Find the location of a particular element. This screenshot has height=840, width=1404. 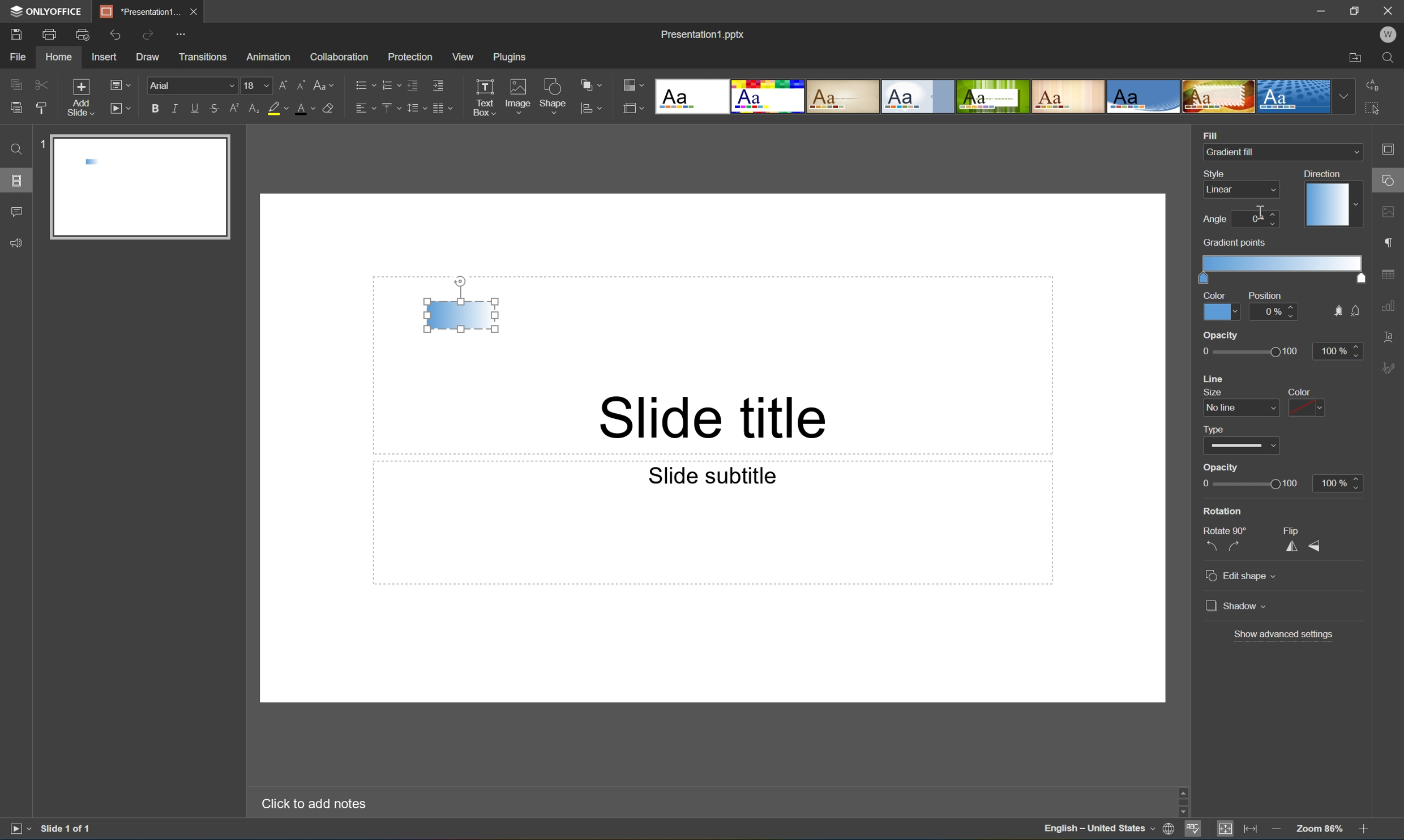

Gradient scale is located at coordinates (1284, 263).